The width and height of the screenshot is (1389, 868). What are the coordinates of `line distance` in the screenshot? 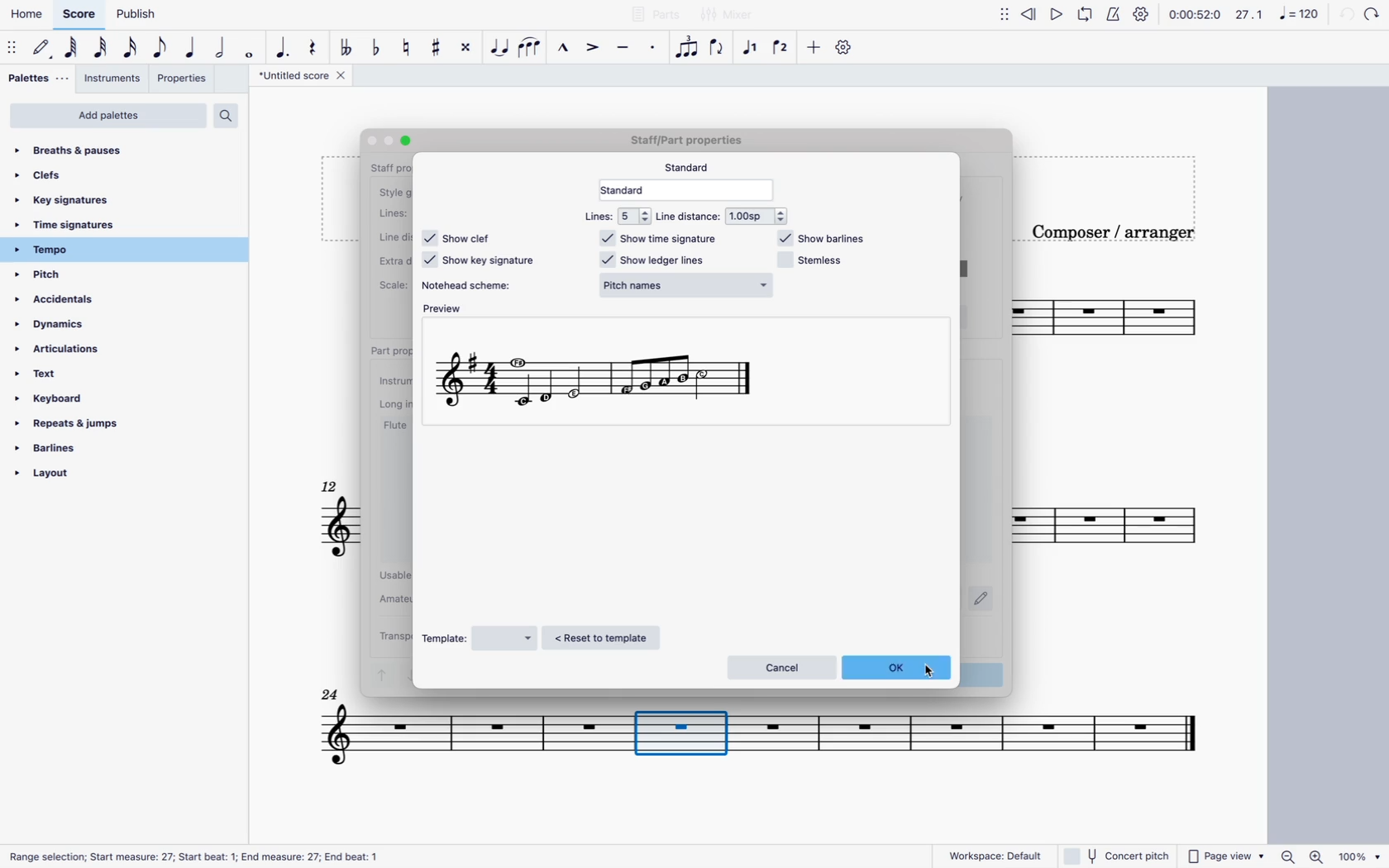 It's located at (725, 216).